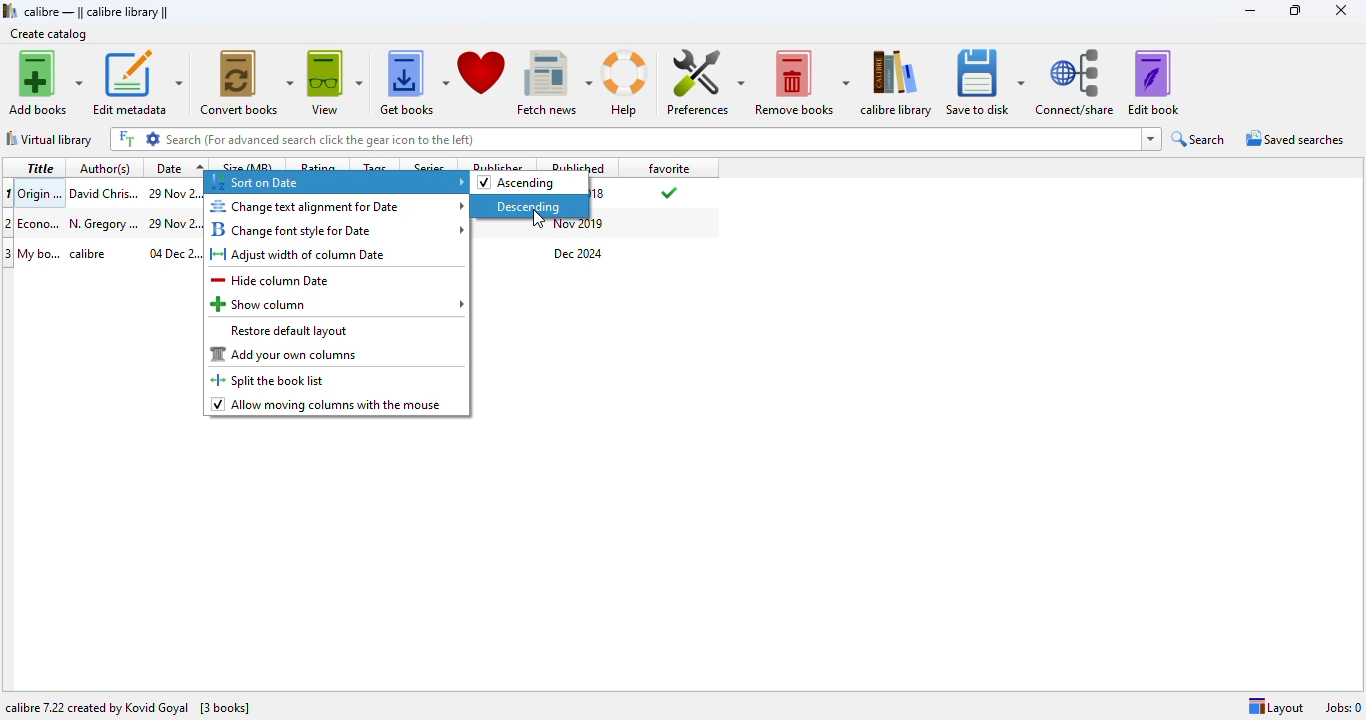 This screenshot has width=1366, height=720. What do you see at coordinates (249, 165) in the screenshot?
I see `size(MB)` at bounding box center [249, 165].